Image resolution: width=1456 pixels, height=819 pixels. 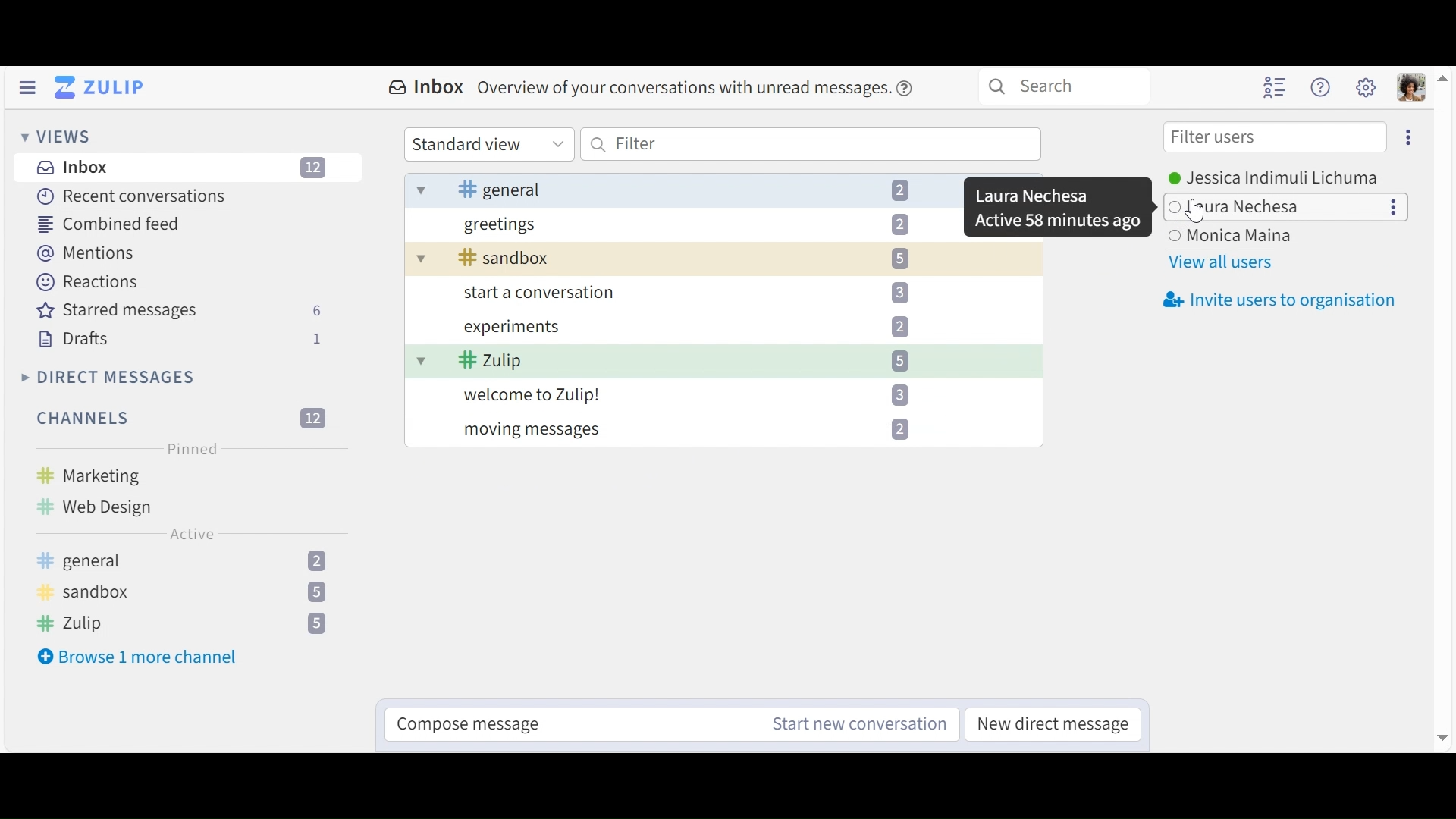 What do you see at coordinates (106, 377) in the screenshot?
I see `Direct Messages` at bounding box center [106, 377].